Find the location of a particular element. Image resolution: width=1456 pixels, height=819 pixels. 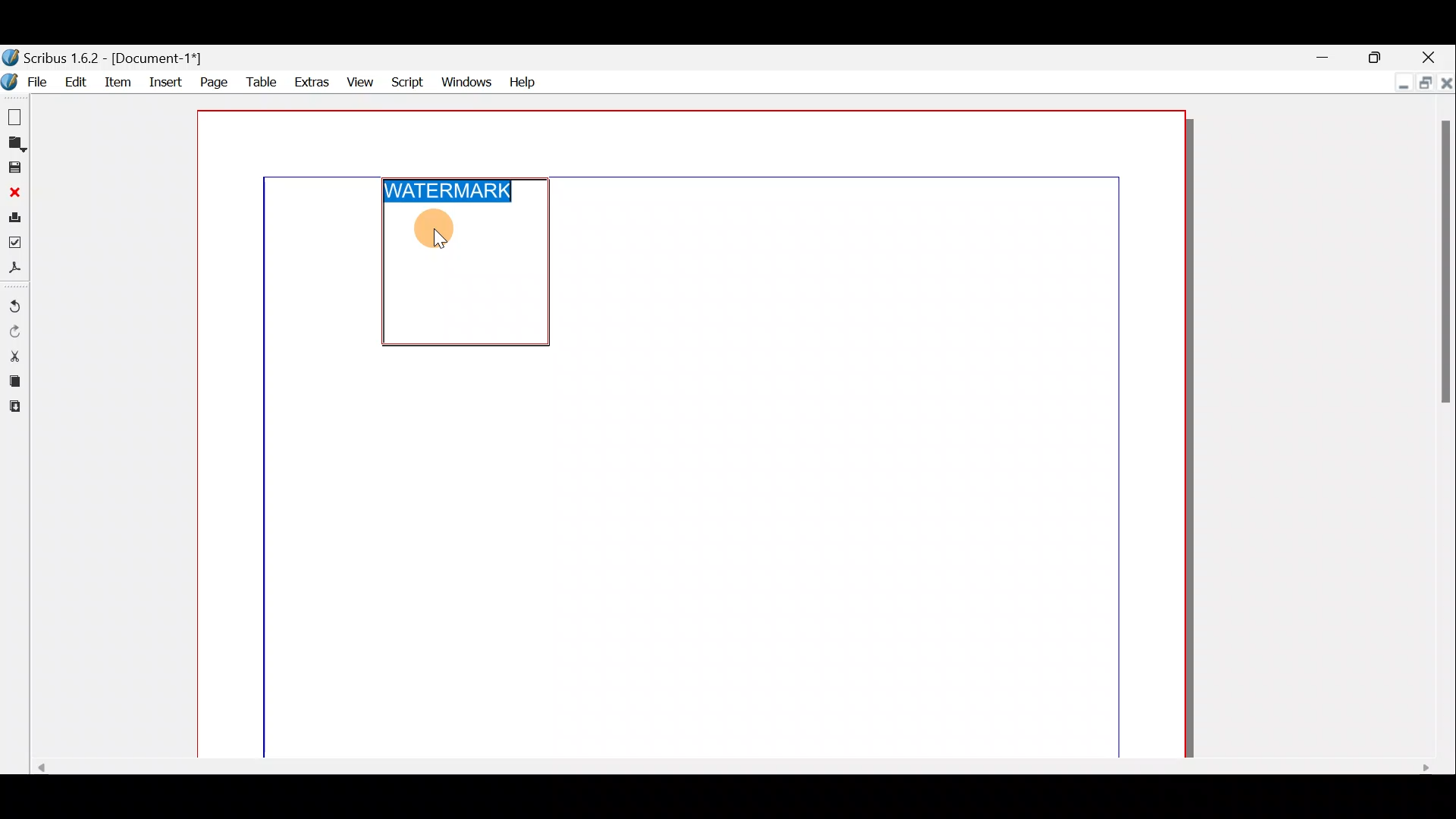

Minimise is located at coordinates (1326, 55).